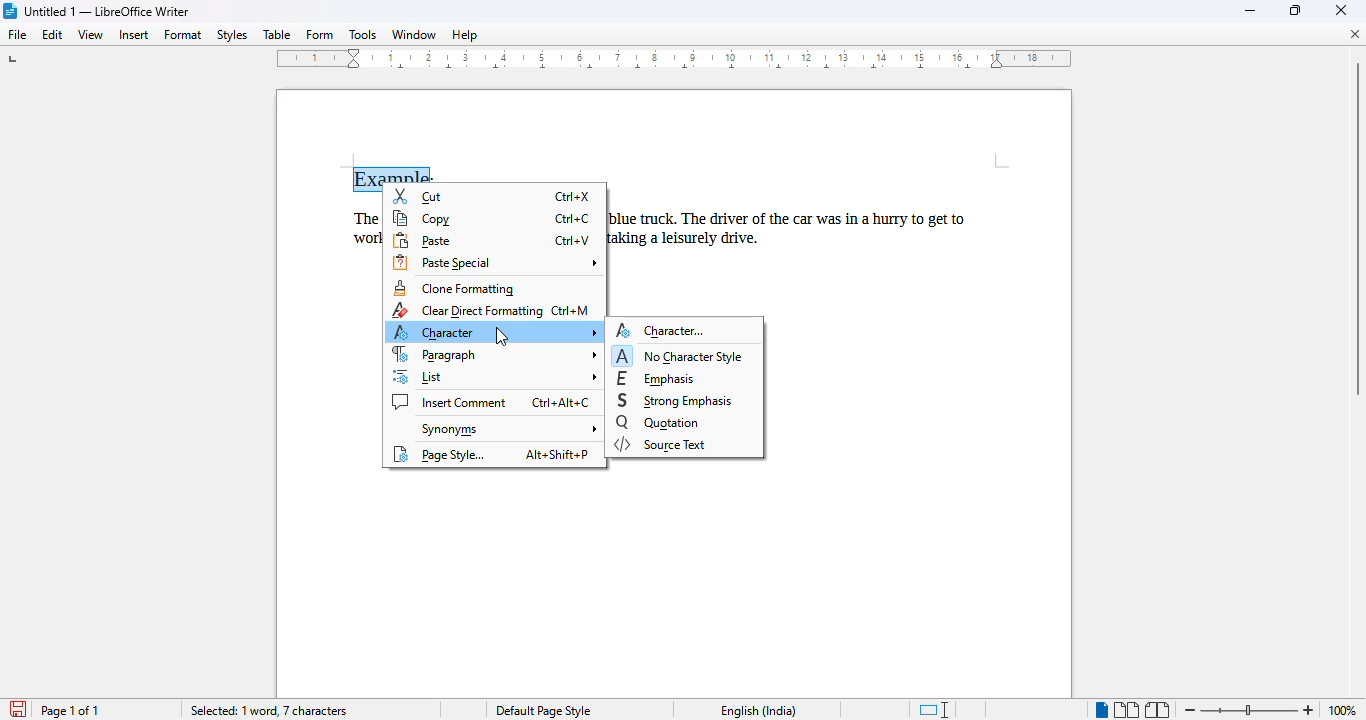  Describe the element at coordinates (91, 35) in the screenshot. I see `view` at that location.